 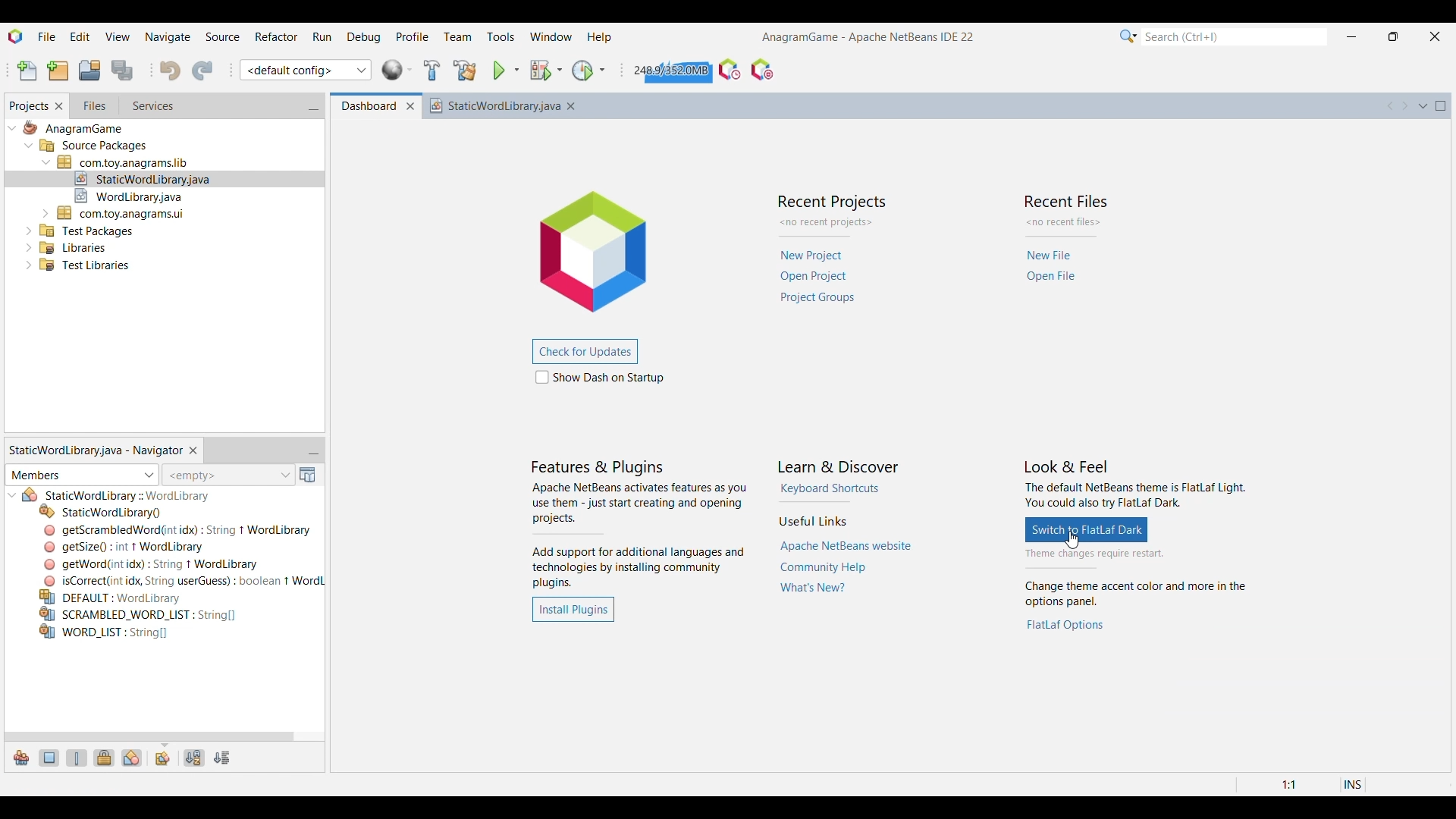 What do you see at coordinates (500, 36) in the screenshot?
I see `Tools menu` at bounding box center [500, 36].